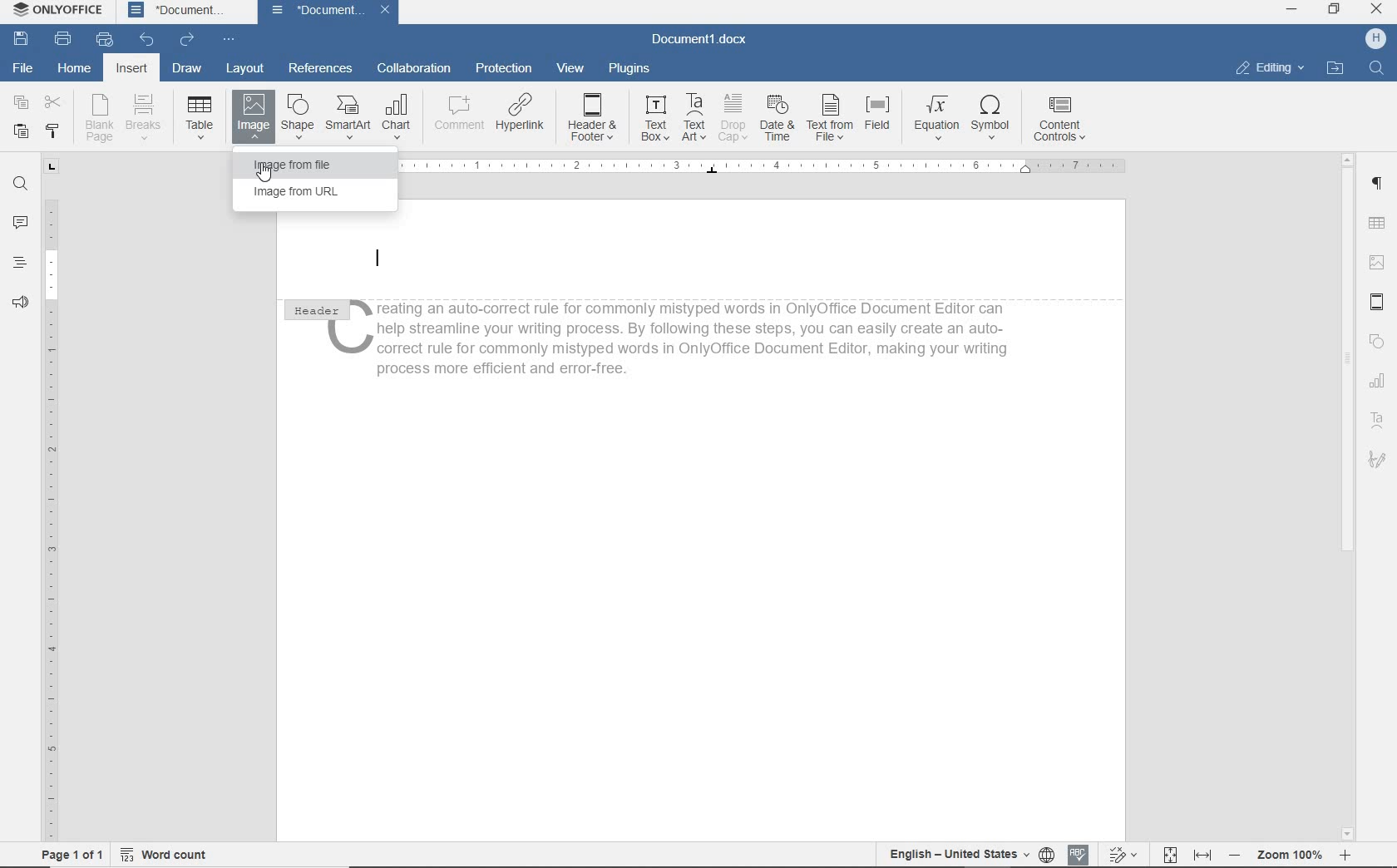  What do you see at coordinates (629, 69) in the screenshot?
I see `PLUGINS` at bounding box center [629, 69].